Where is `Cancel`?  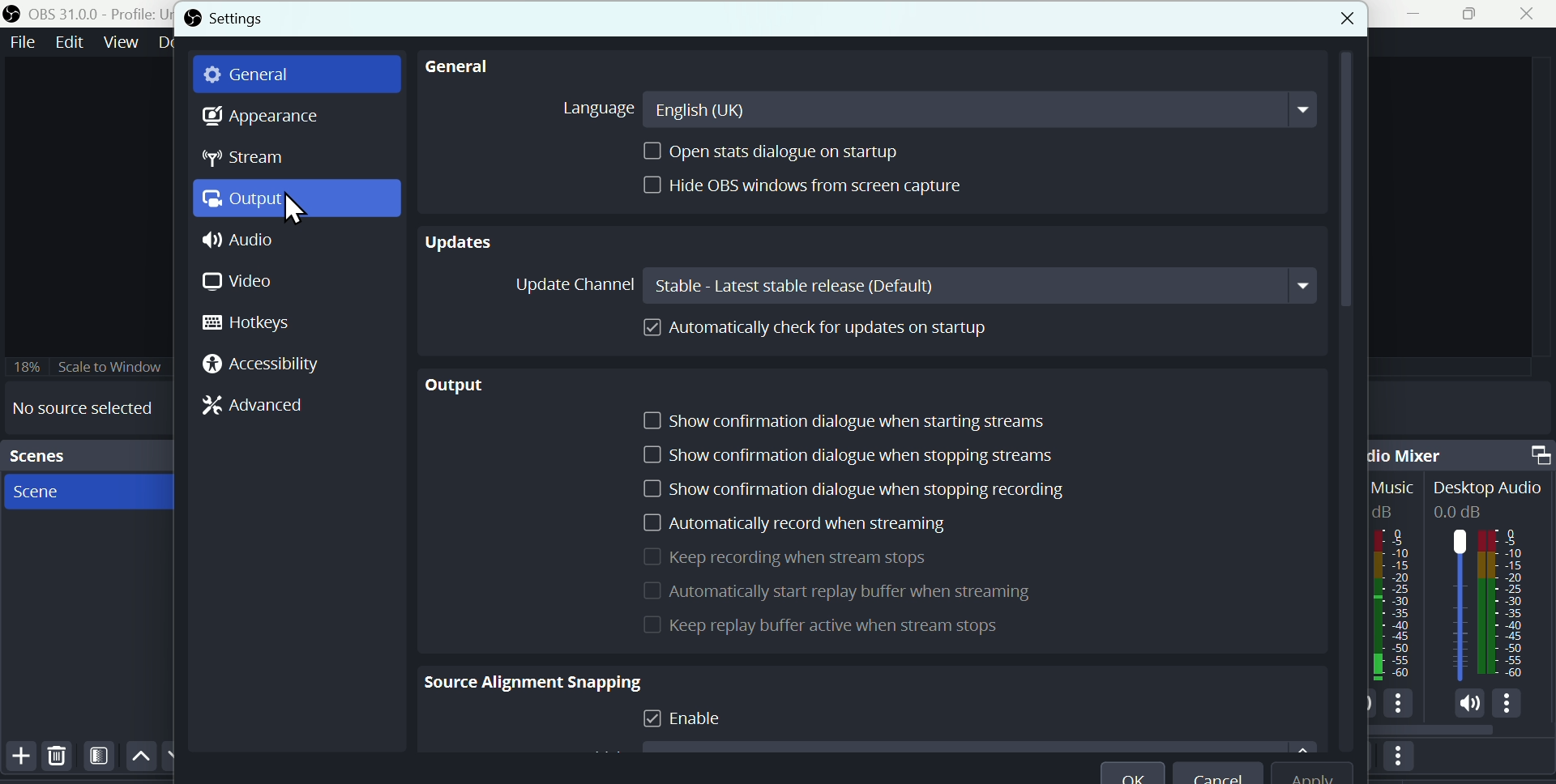 Cancel is located at coordinates (1221, 774).